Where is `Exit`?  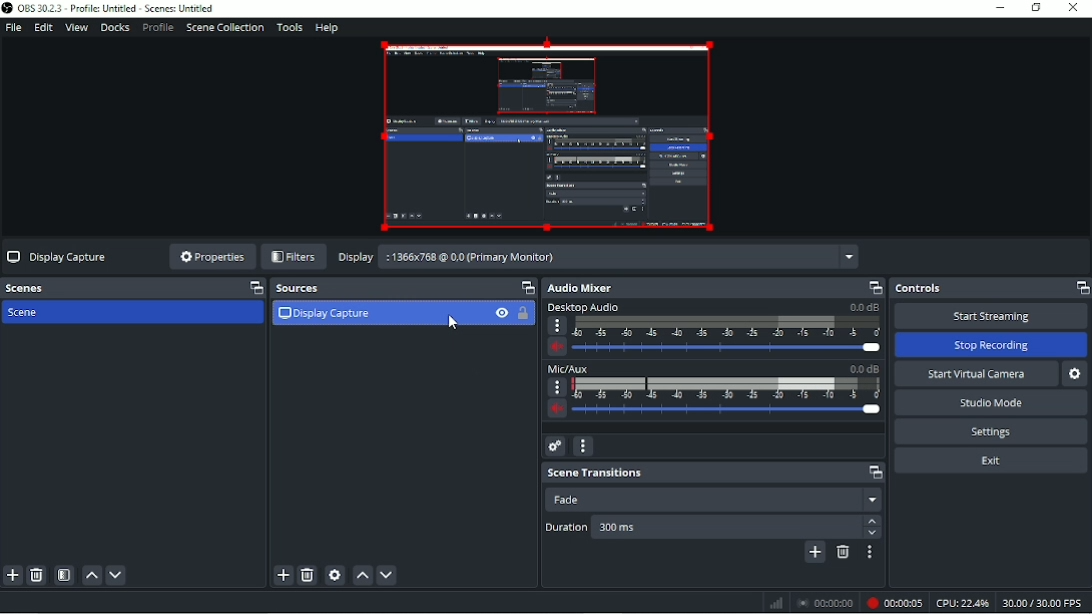 Exit is located at coordinates (992, 461).